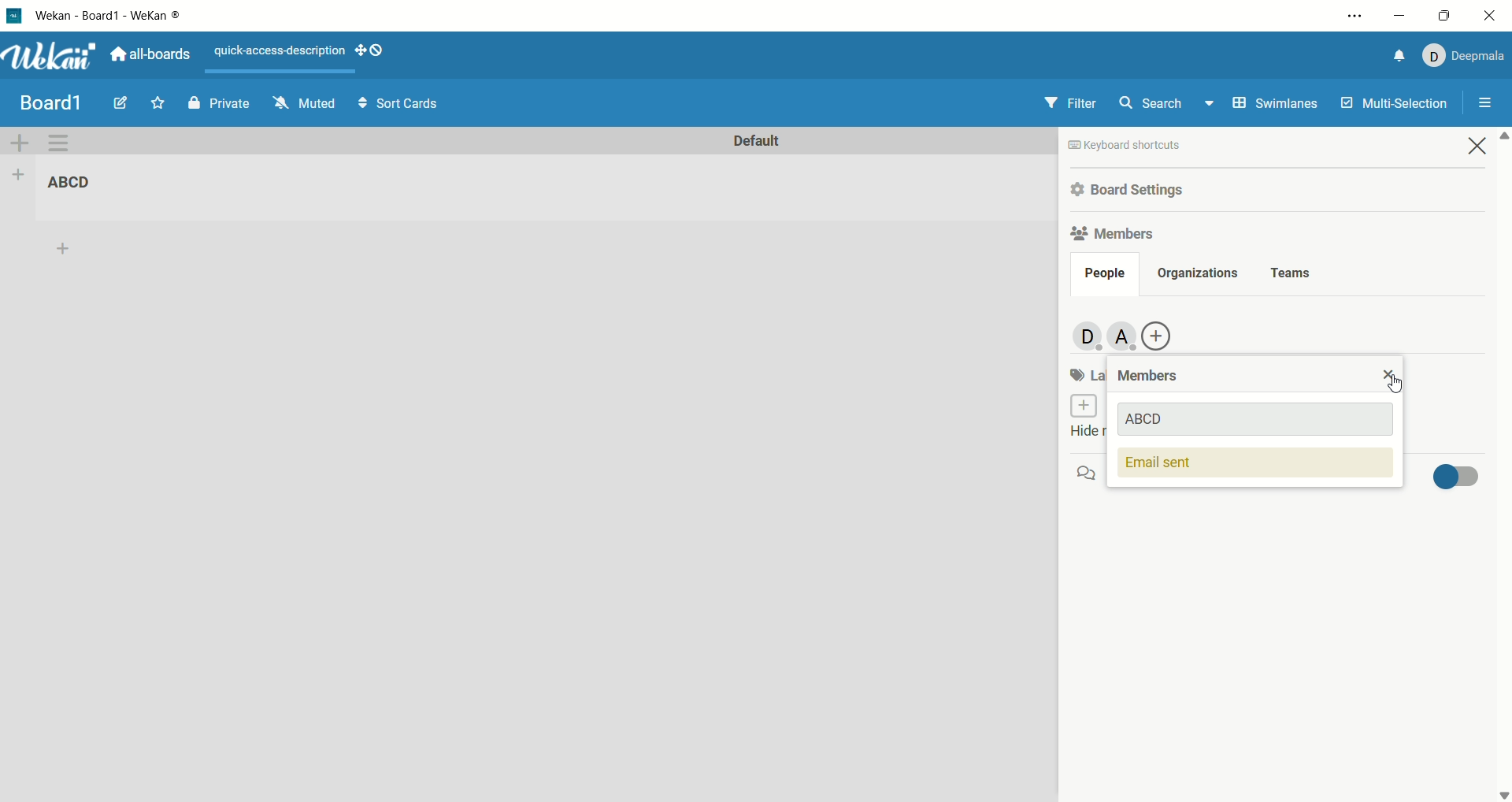 The height and width of the screenshot is (802, 1512). I want to click on keyboard shortcut, so click(1125, 147).